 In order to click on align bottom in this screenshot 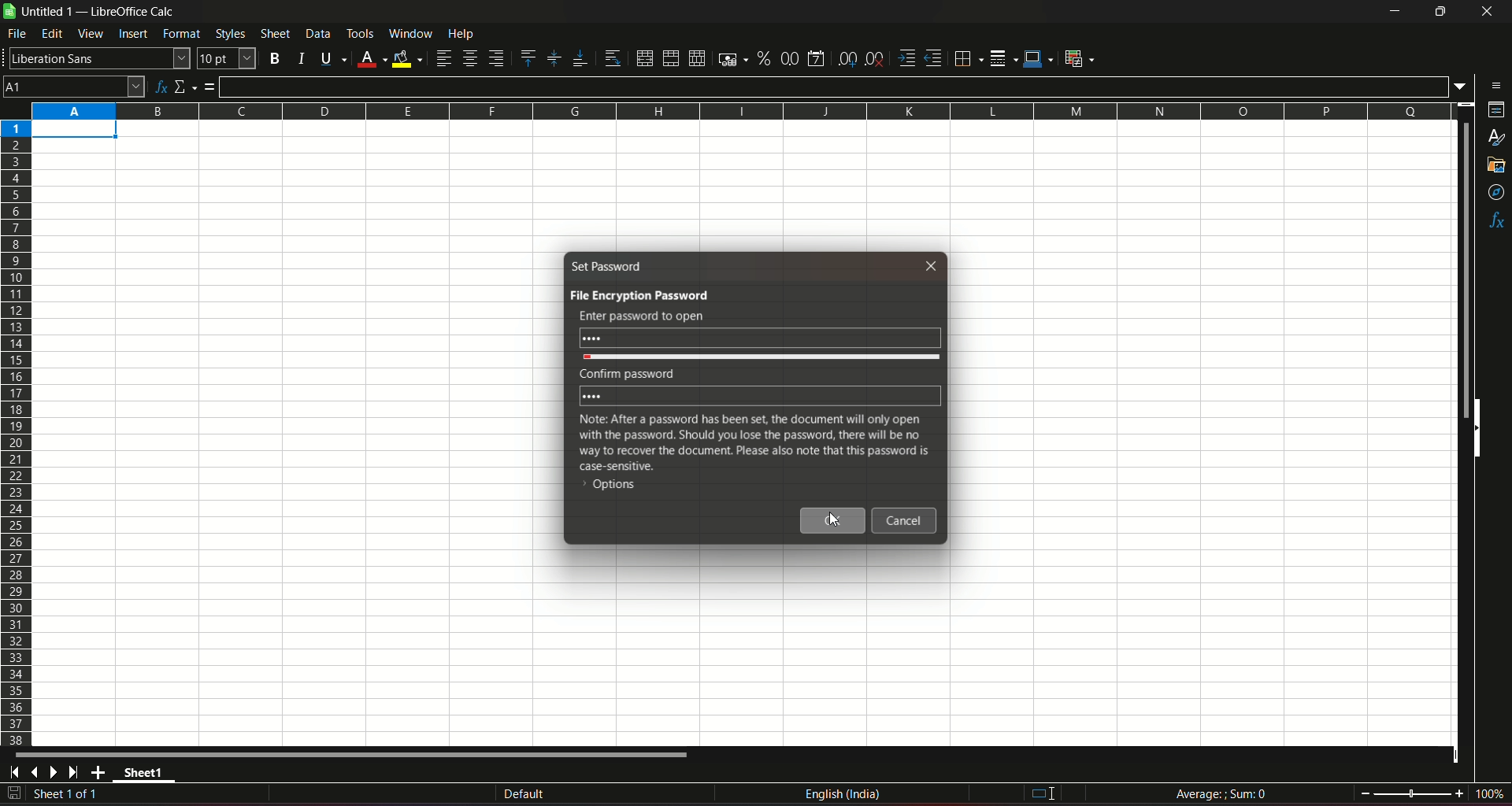, I will do `click(576, 57)`.